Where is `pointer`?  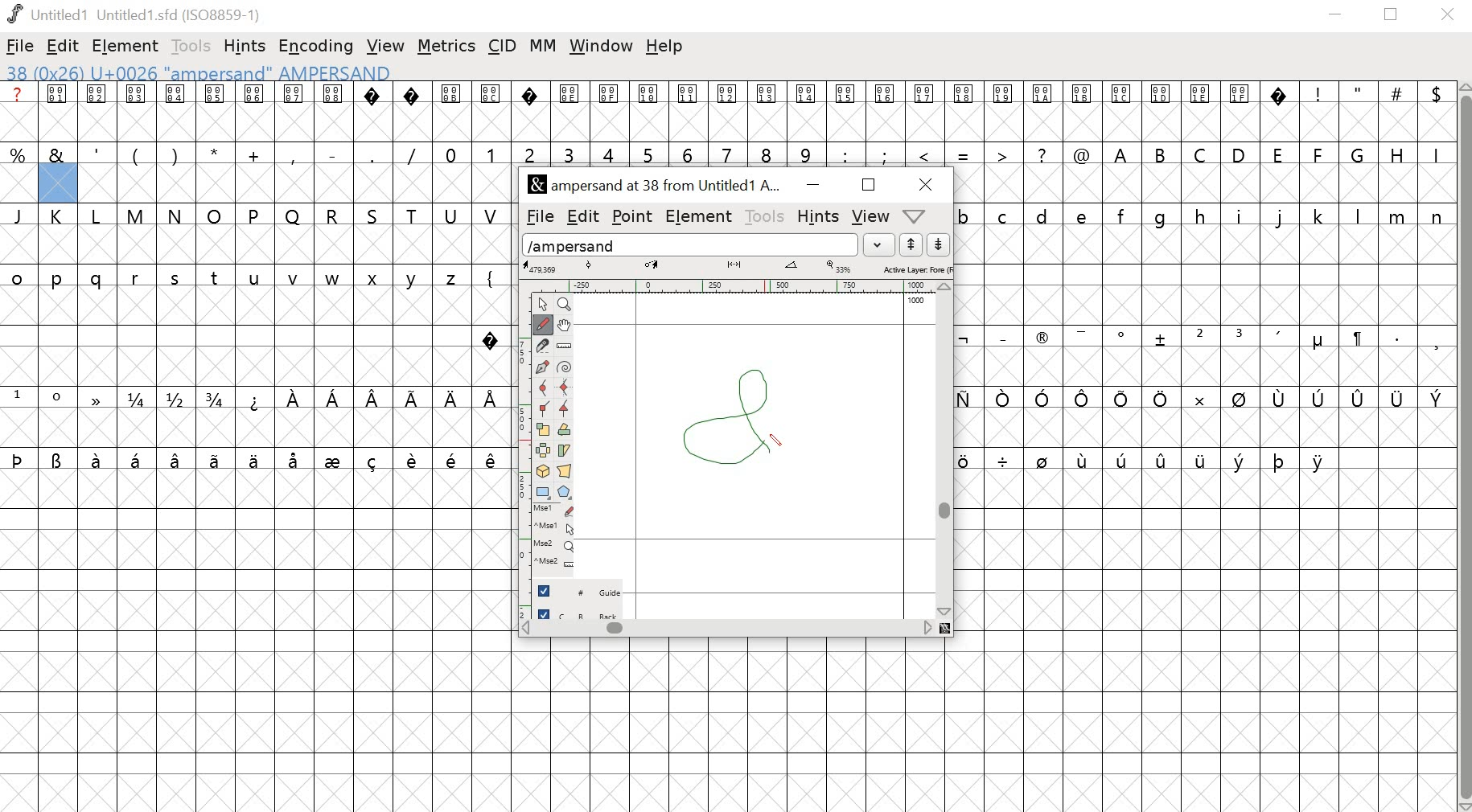 pointer is located at coordinates (541, 303).